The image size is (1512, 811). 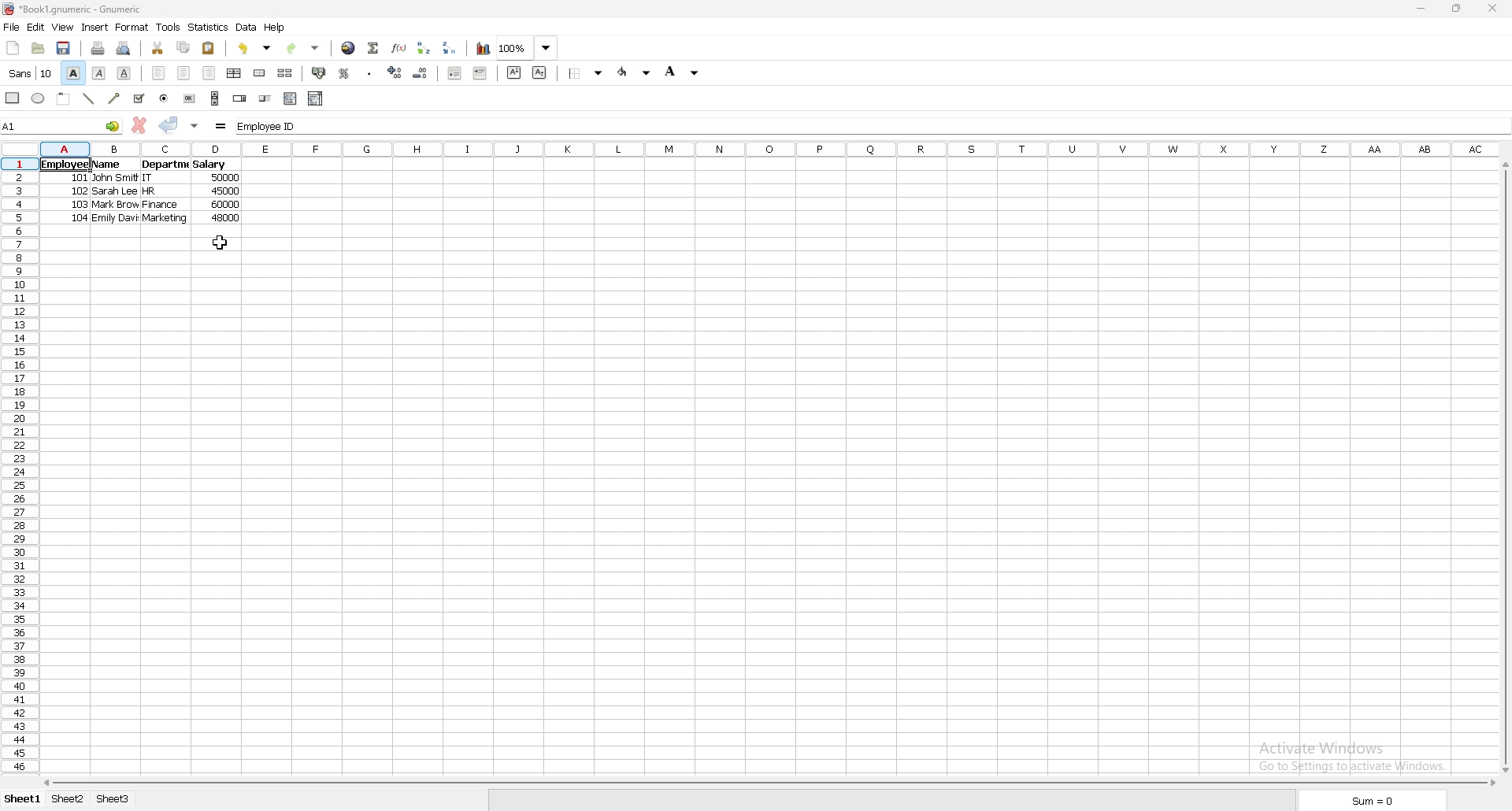 I want to click on scroll bar, so click(x=215, y=98).